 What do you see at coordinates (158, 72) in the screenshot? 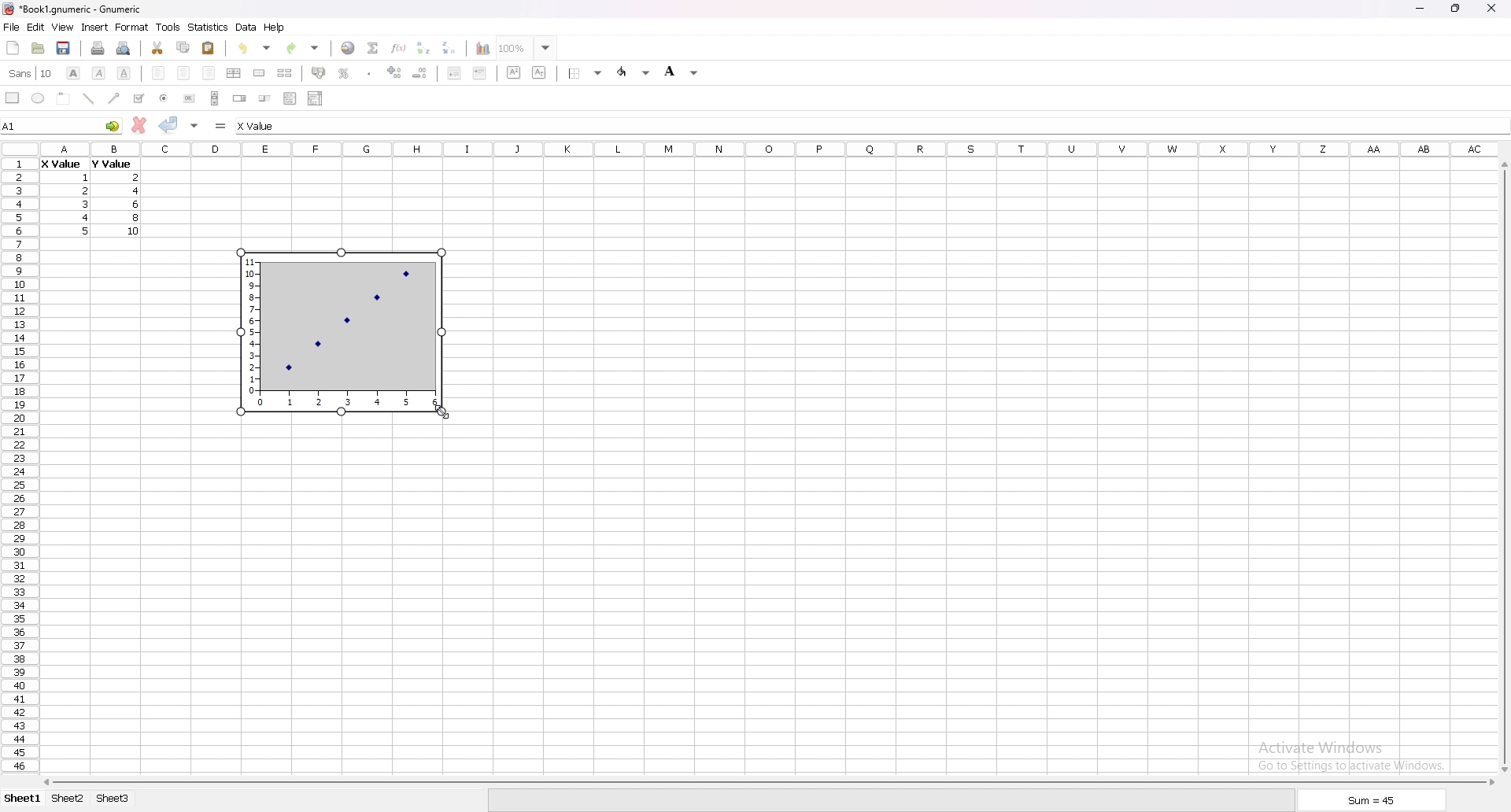
I see `left align` at bounding box center [158, 72].